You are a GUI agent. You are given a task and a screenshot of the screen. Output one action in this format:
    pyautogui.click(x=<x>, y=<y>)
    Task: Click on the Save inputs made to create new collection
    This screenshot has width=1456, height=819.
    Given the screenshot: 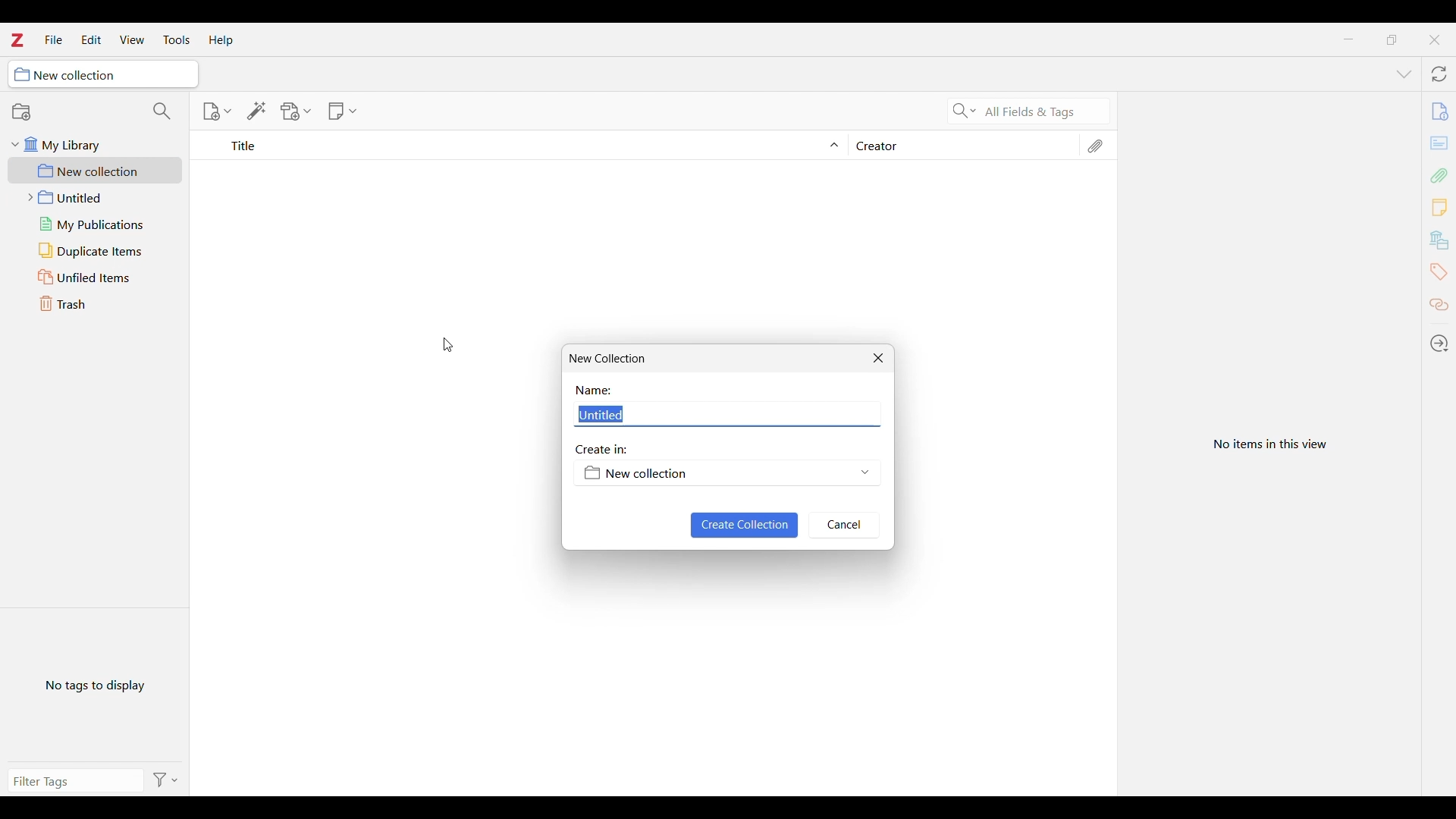 What is the action you would take?
    pyautogui.click(x=745, y=526)
    